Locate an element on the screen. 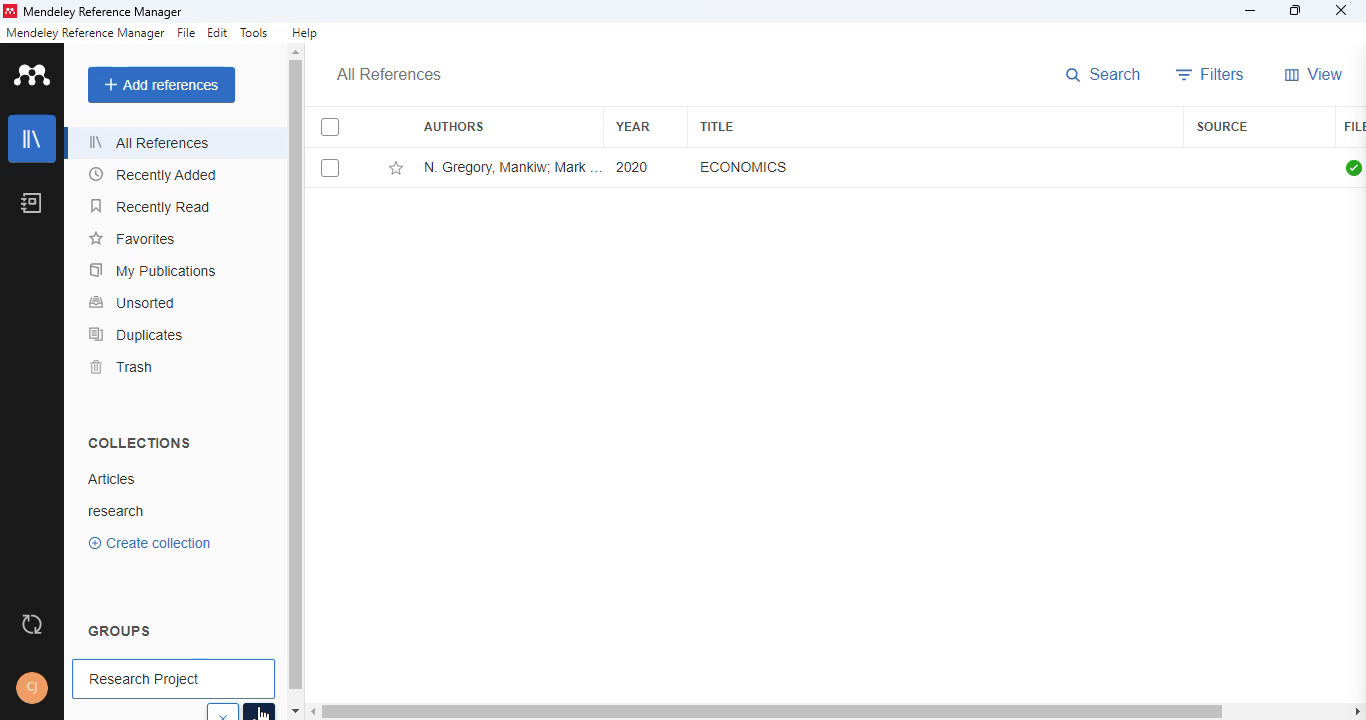 The width and height of the screenshot is (1366, 720). library is located at coordinates (32, 138).